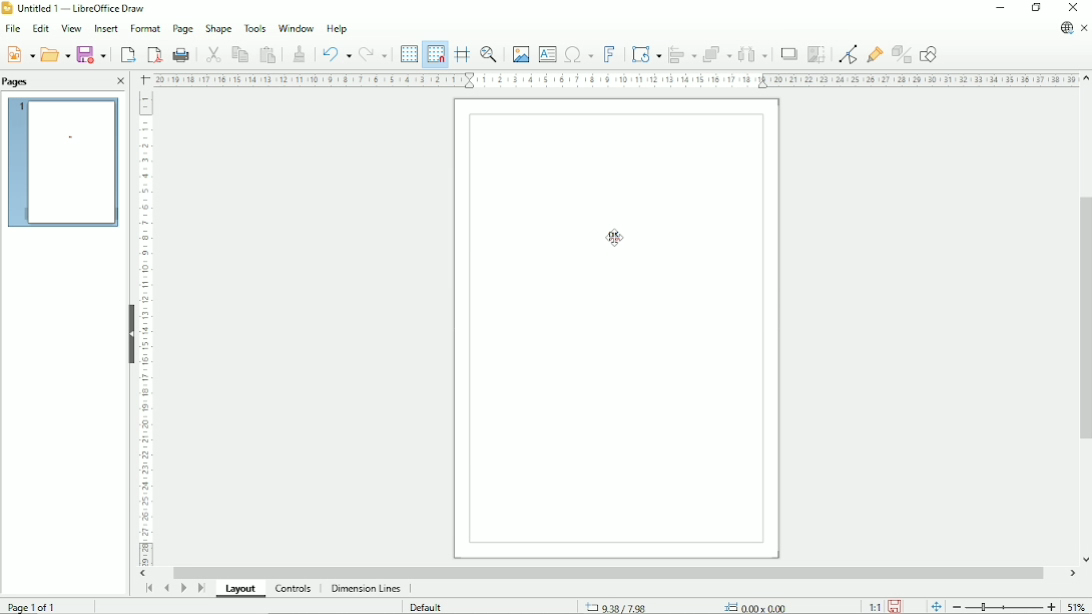 Image resolution: width=1092 pixels, height=614 pixels. I want to click on Preview, so click(64, 163).